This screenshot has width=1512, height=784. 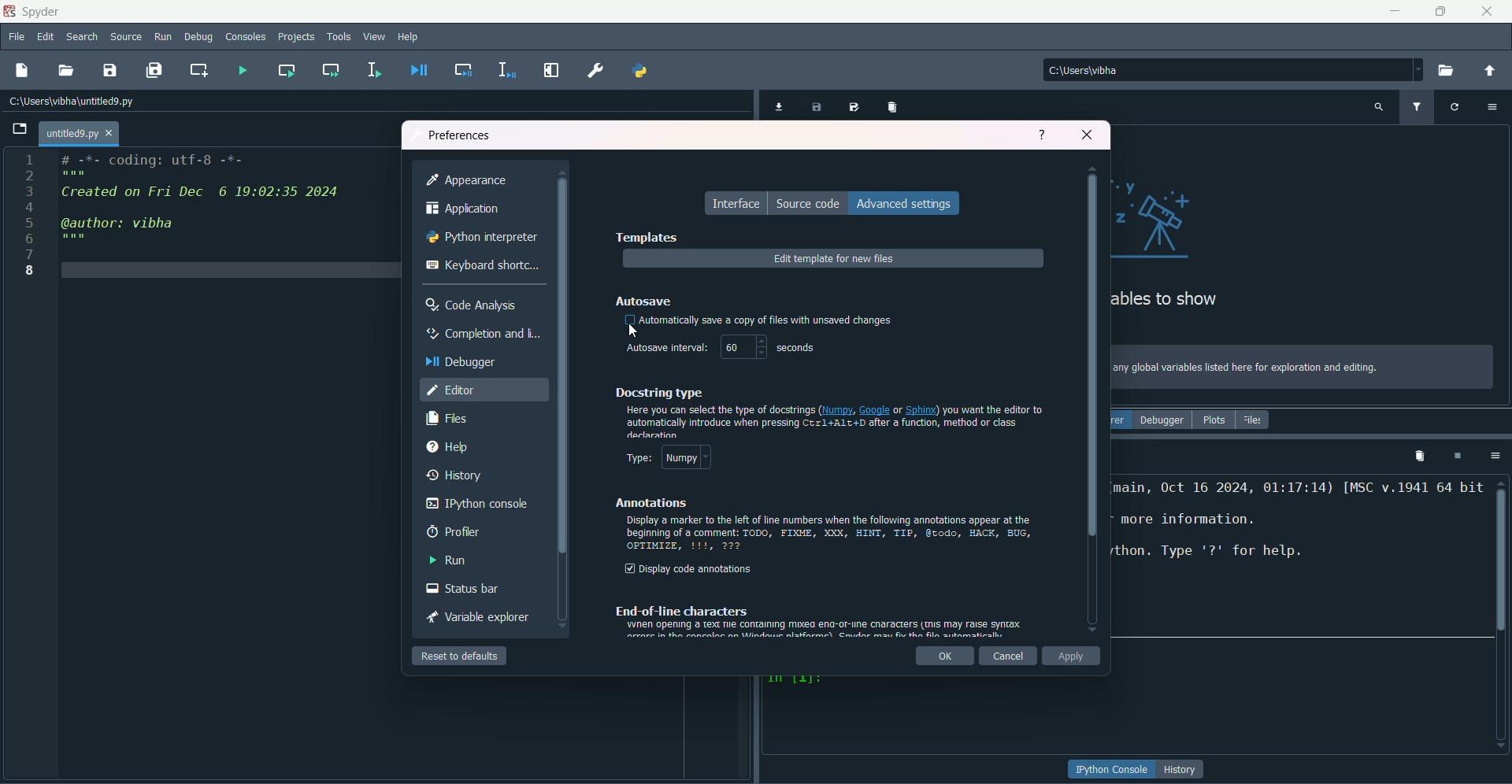 What do you see at coordinates (818, 620) in the screenshot?
I see `text` at bounding box center [818, 620].